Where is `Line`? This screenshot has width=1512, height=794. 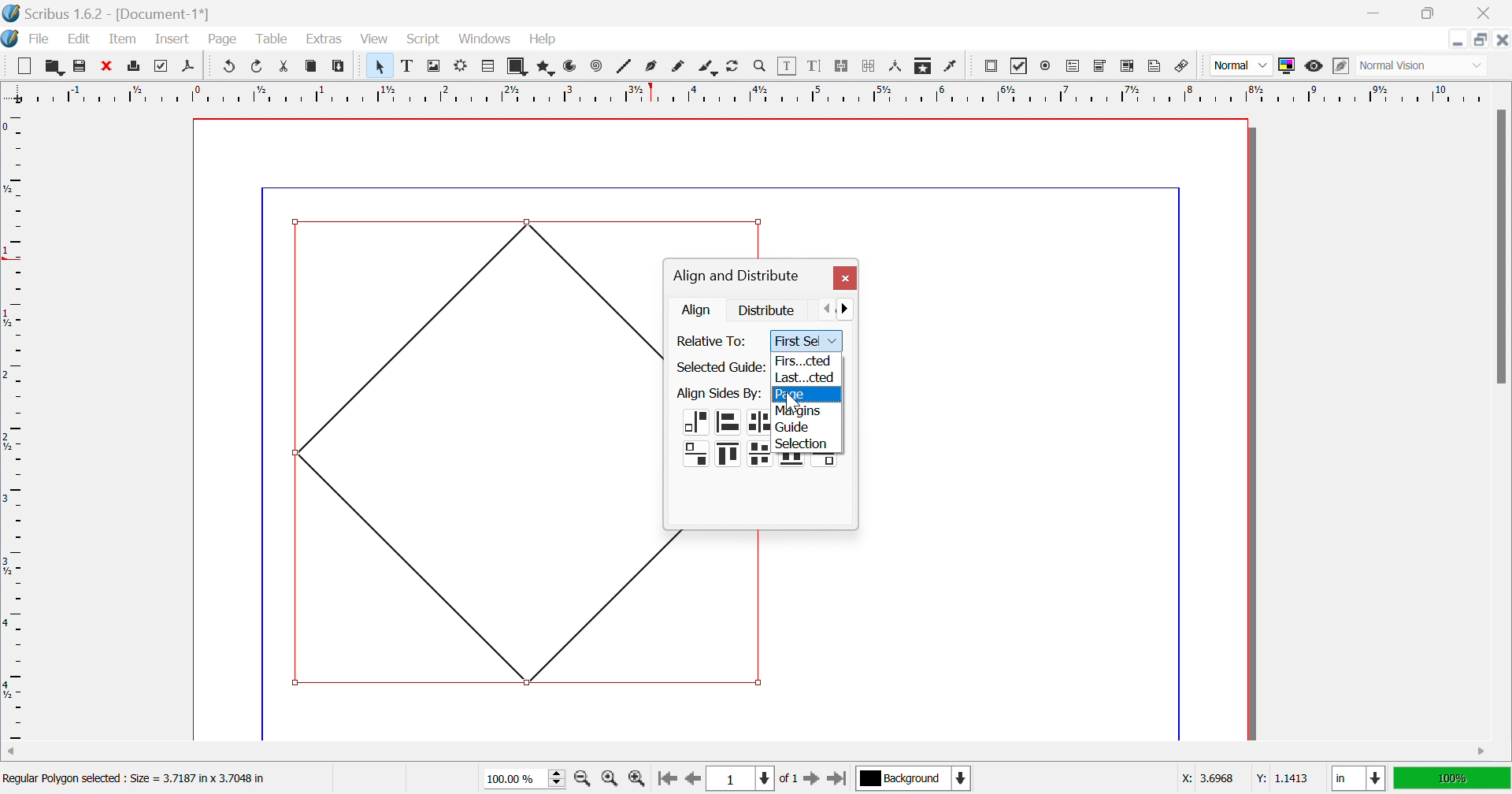
Line is located at coordinates (624, 65).